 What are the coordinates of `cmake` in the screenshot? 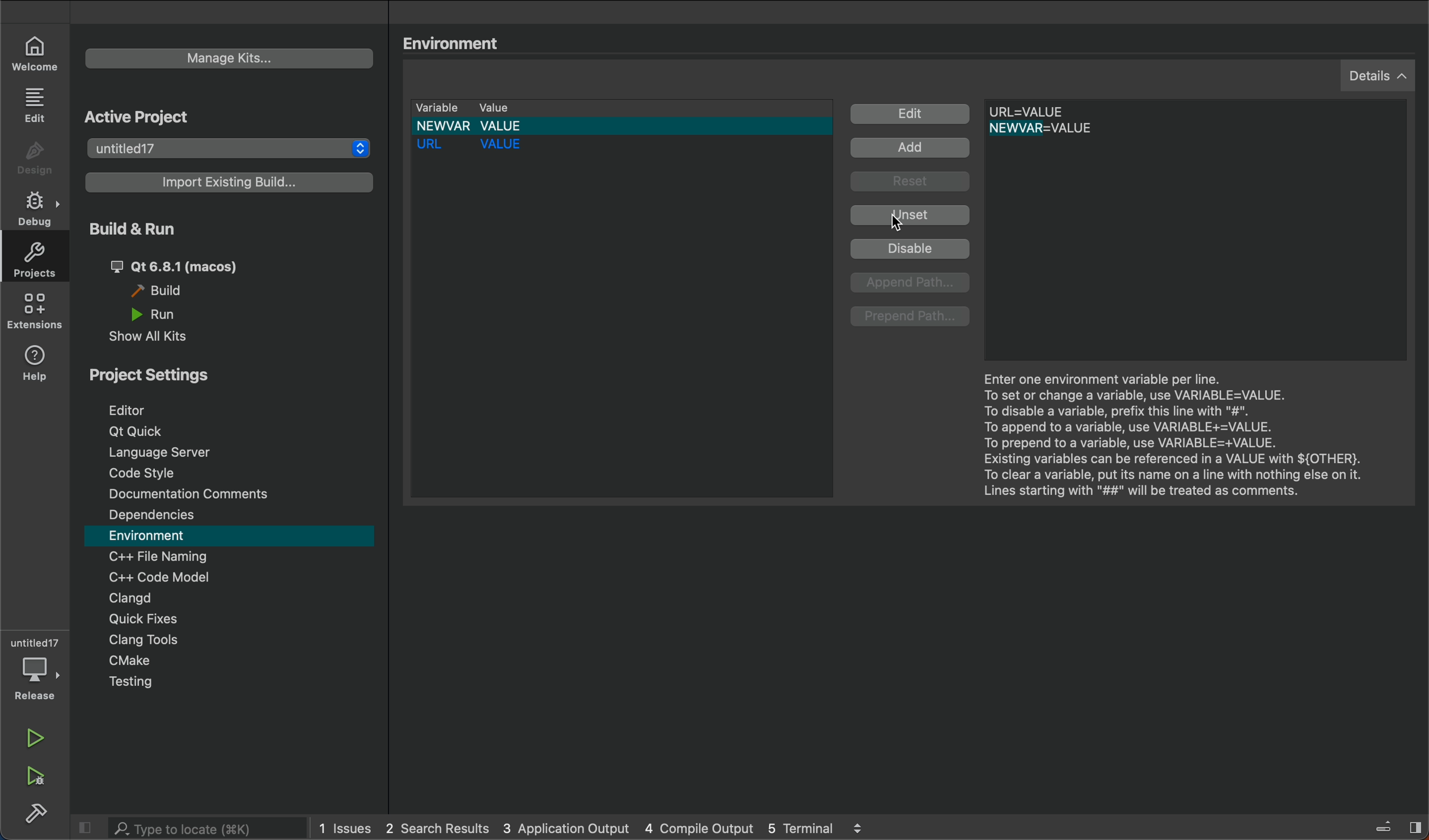 It's located at (134, 663).